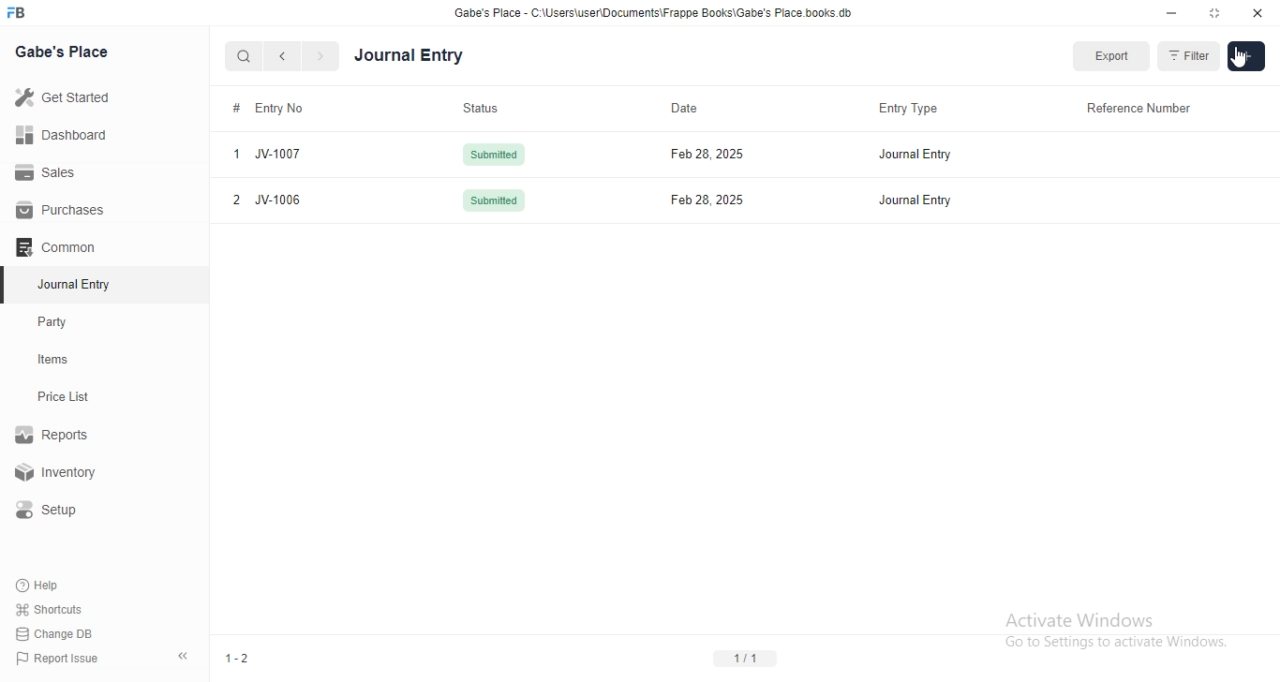  What do you see at coordinates (490, 152) in the screenshot?
I see `Submitted ` at bounding box center [490, 152].